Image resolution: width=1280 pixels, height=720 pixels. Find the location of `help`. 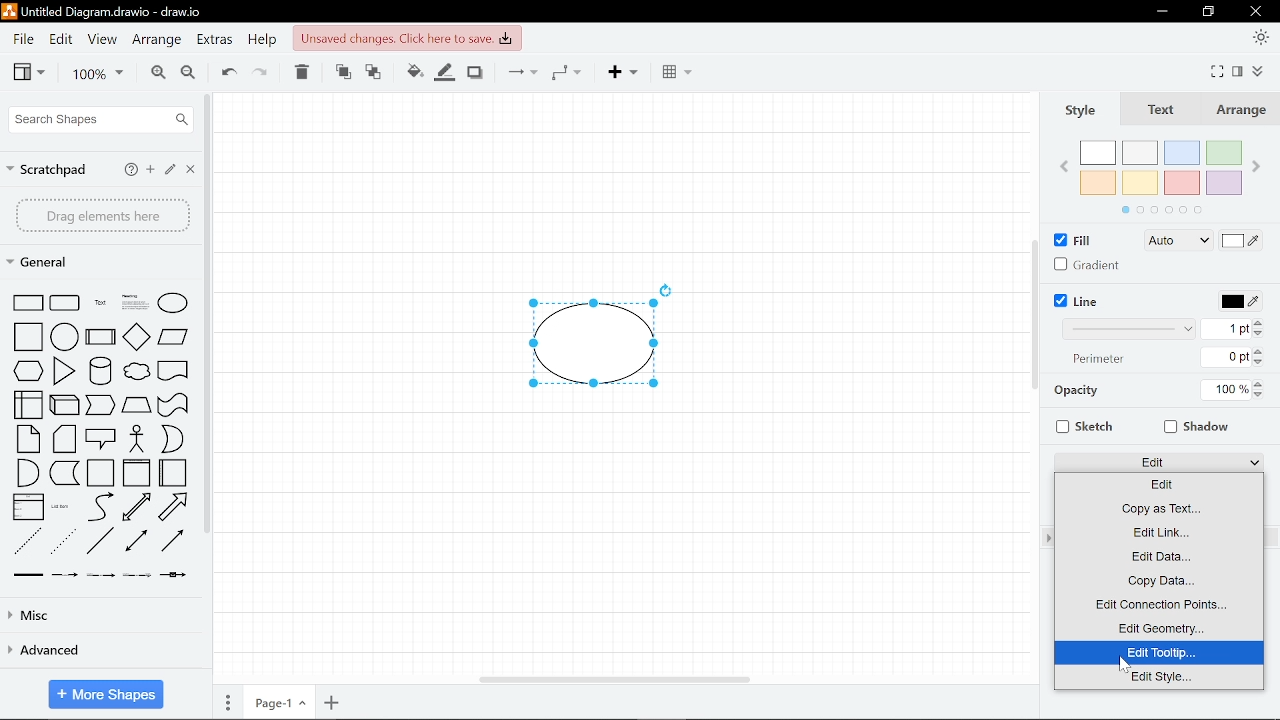

help is located at coordinates (131, 170).